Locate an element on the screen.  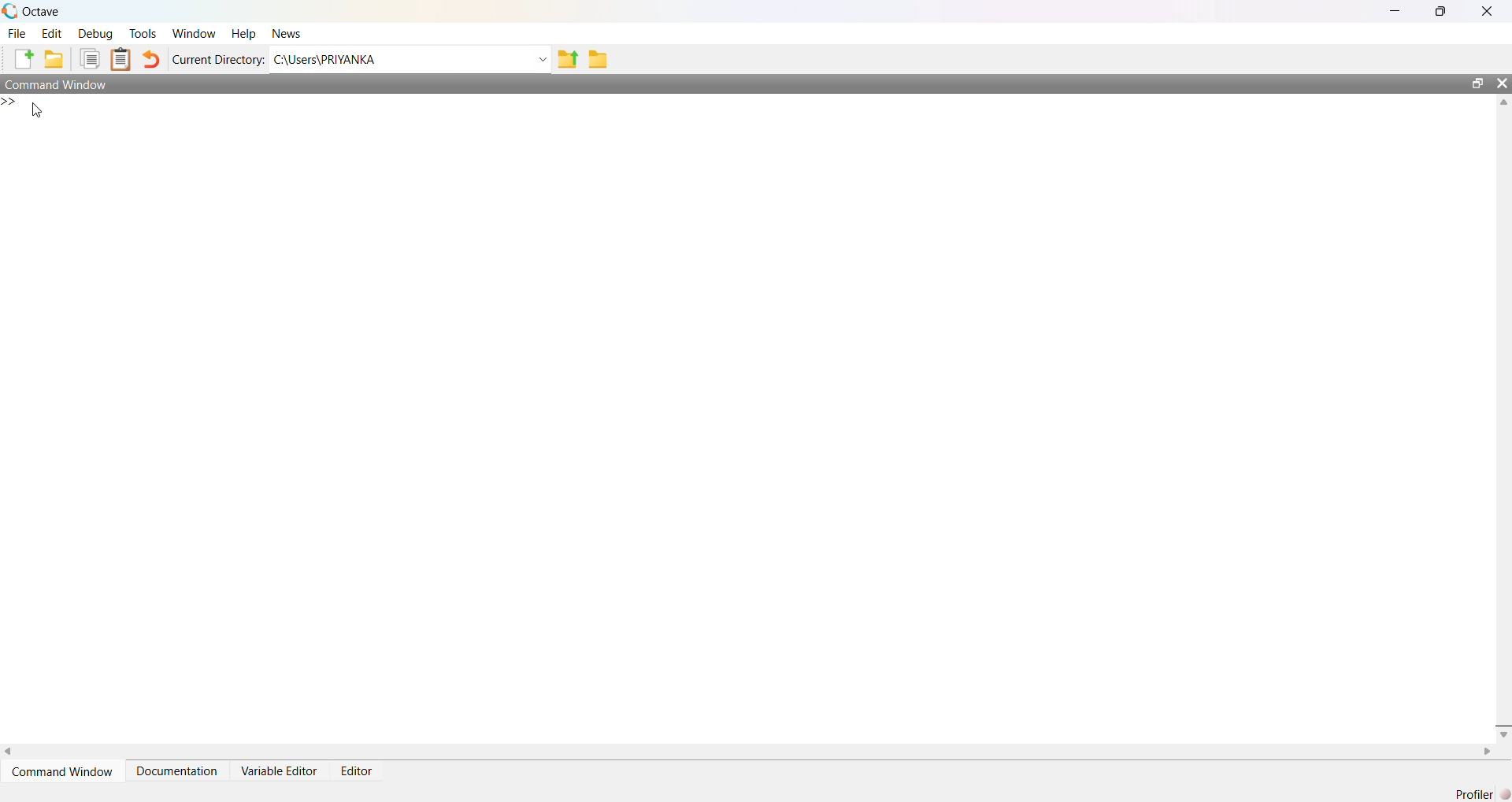
scroll down is located at coordinates (1502, 733).